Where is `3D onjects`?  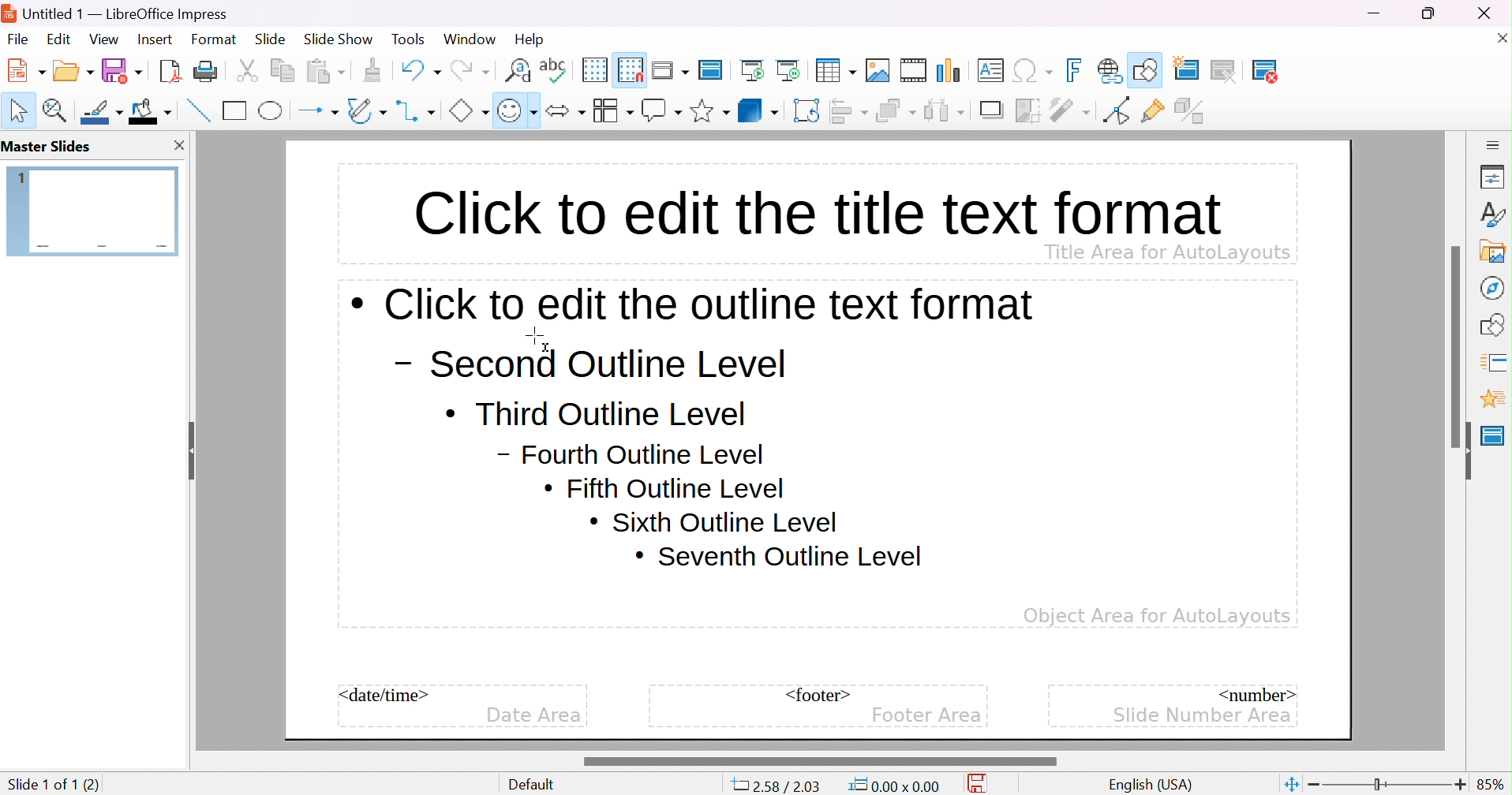
3D onjects is located at coordinates (758, 110).